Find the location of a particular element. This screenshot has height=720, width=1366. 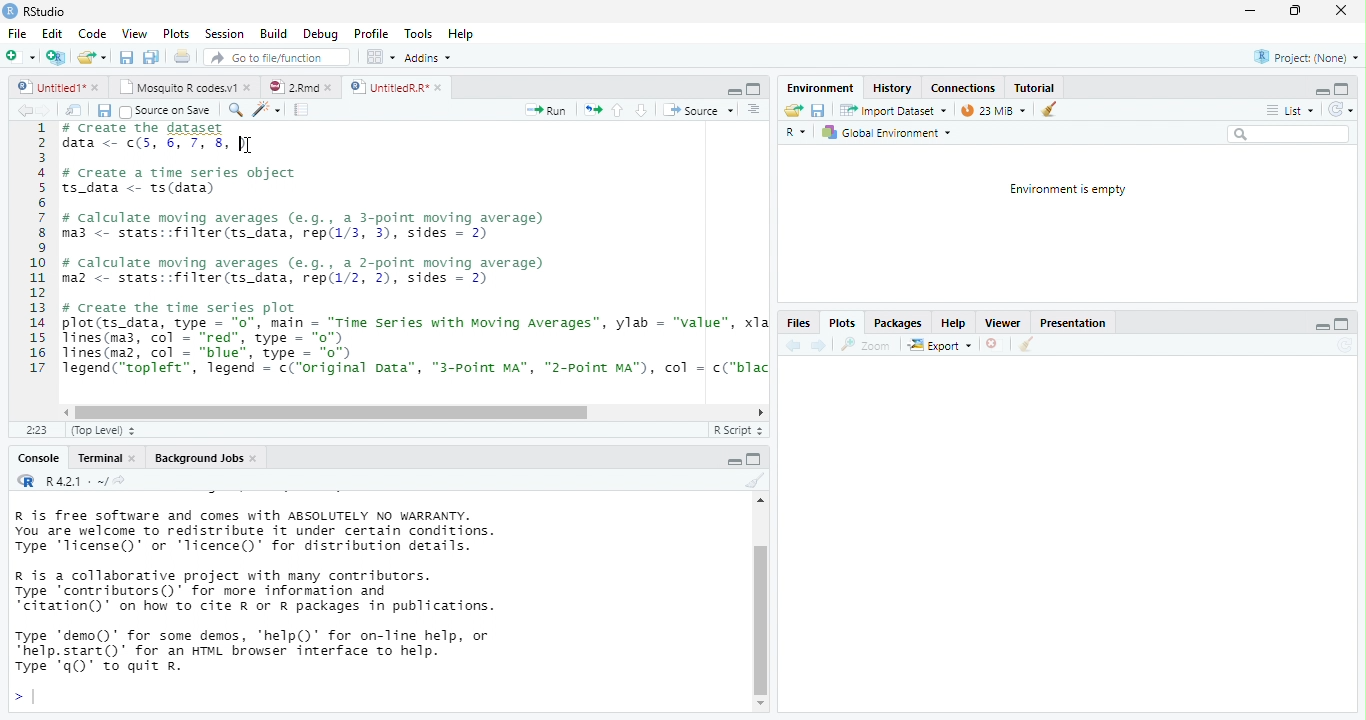

Build is located at coordinates (273, 34).